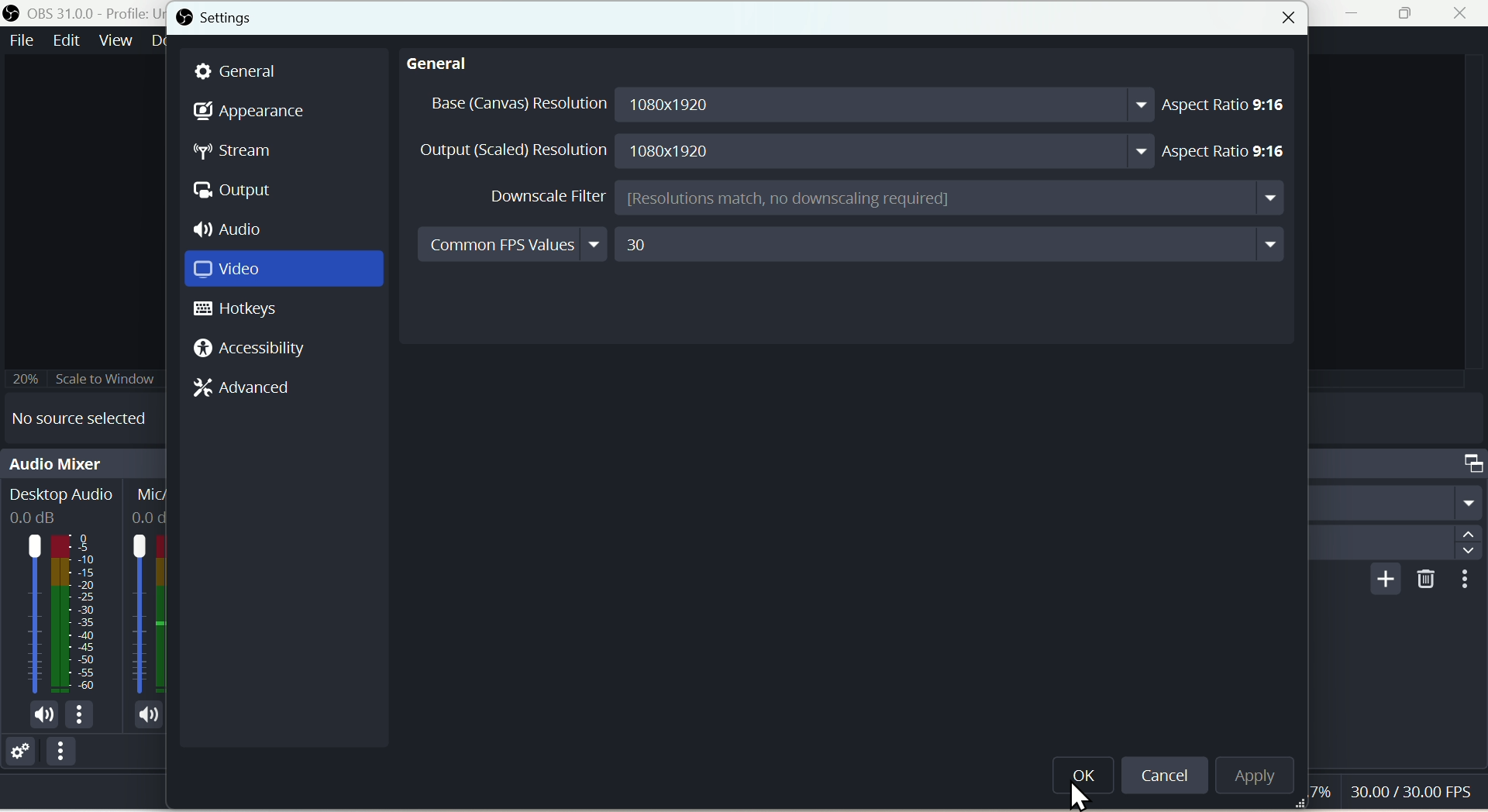 This screenshot has width=1488, height=812. Describe the element at coordinates (1465, 15) in the screenshot. I see `close` at that location.